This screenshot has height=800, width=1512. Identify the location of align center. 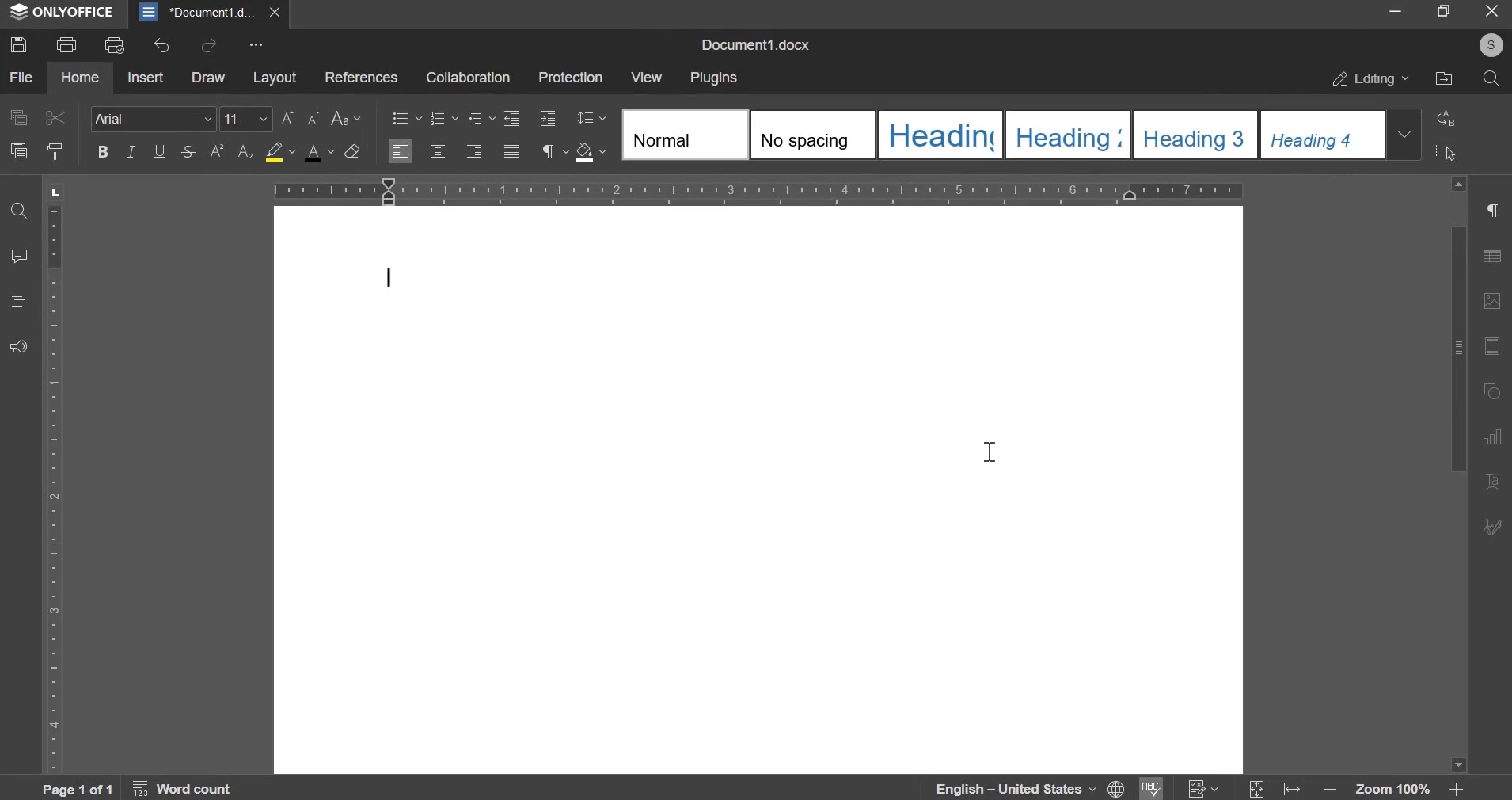
(438, 150).